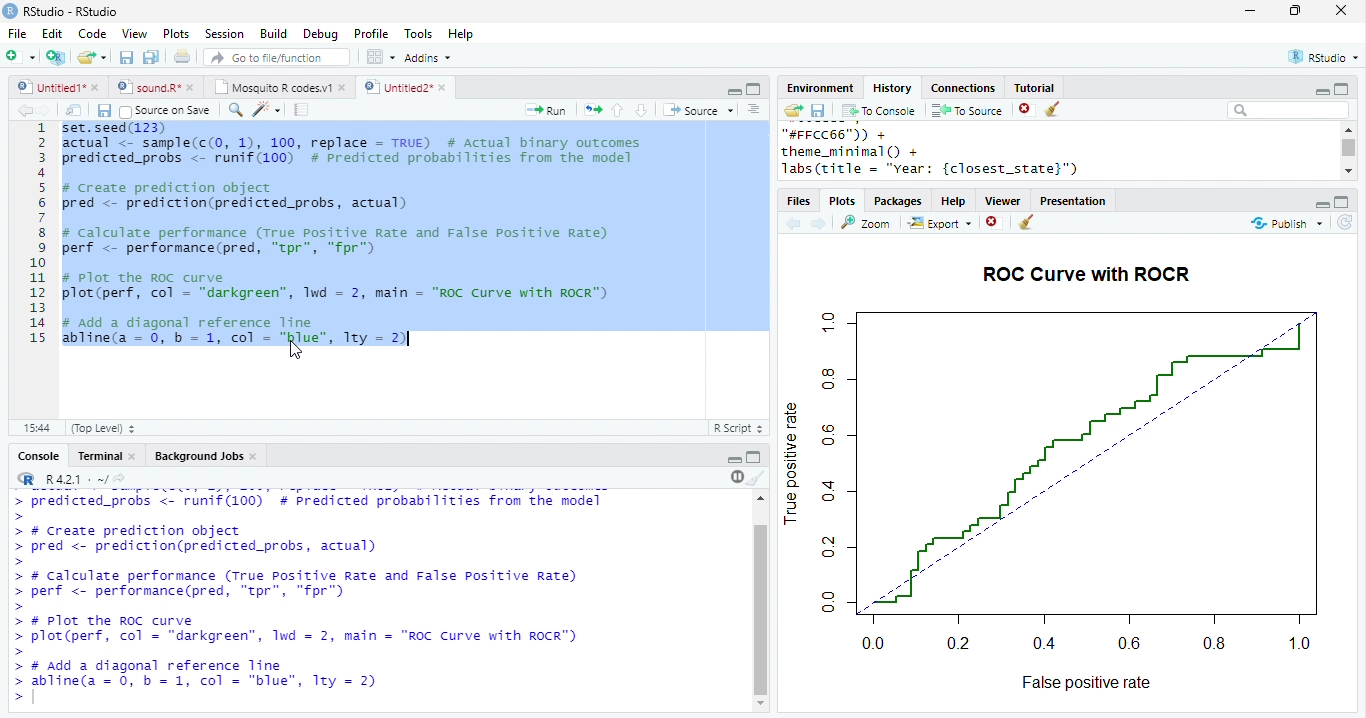 This screenshot has width=1366, height=718. Describe the element at coordinates (753, 89) in the screenshot. I see `maximize` at that location.